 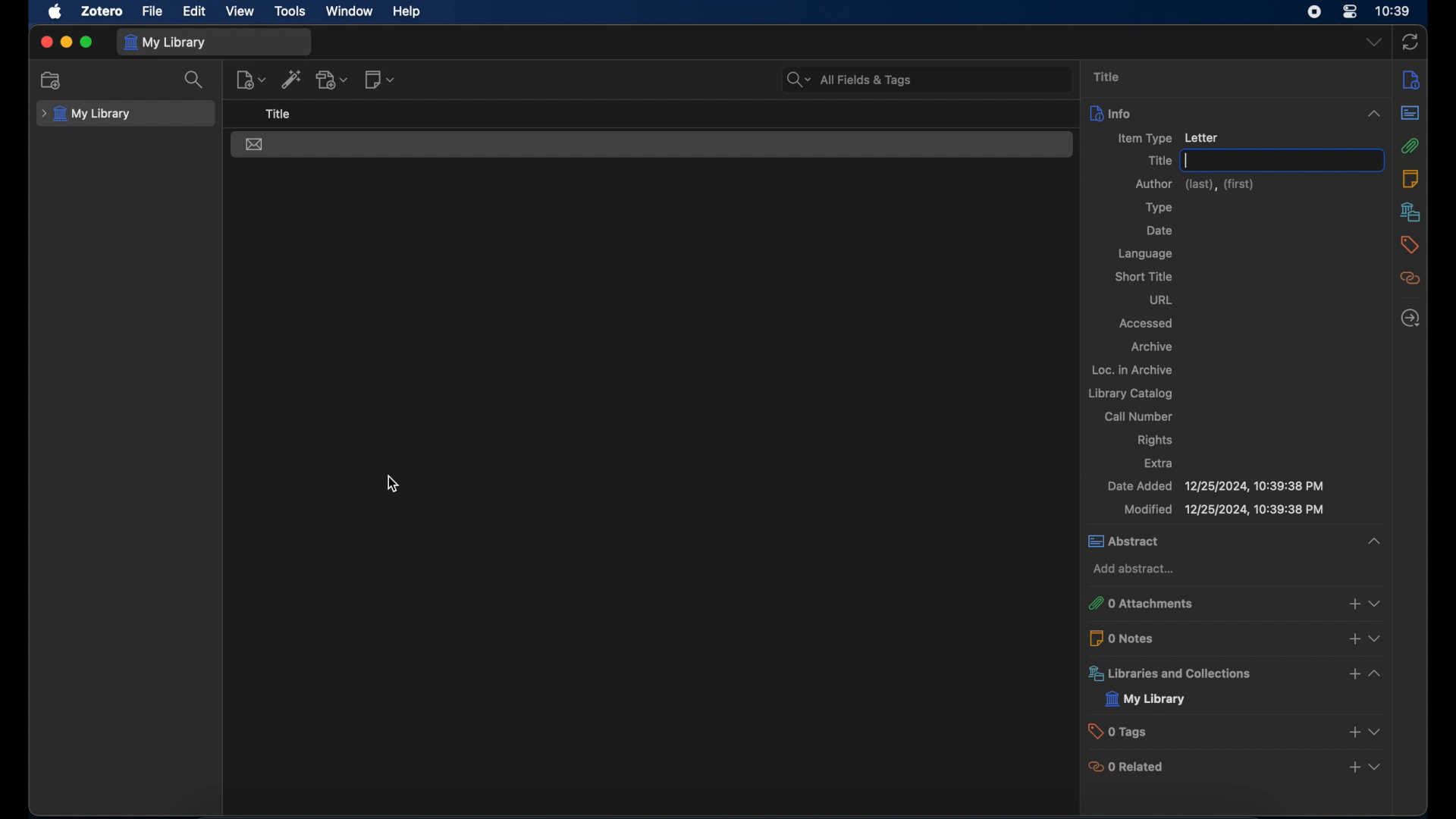 I want to click on view more, so click(x=1375, y=731).